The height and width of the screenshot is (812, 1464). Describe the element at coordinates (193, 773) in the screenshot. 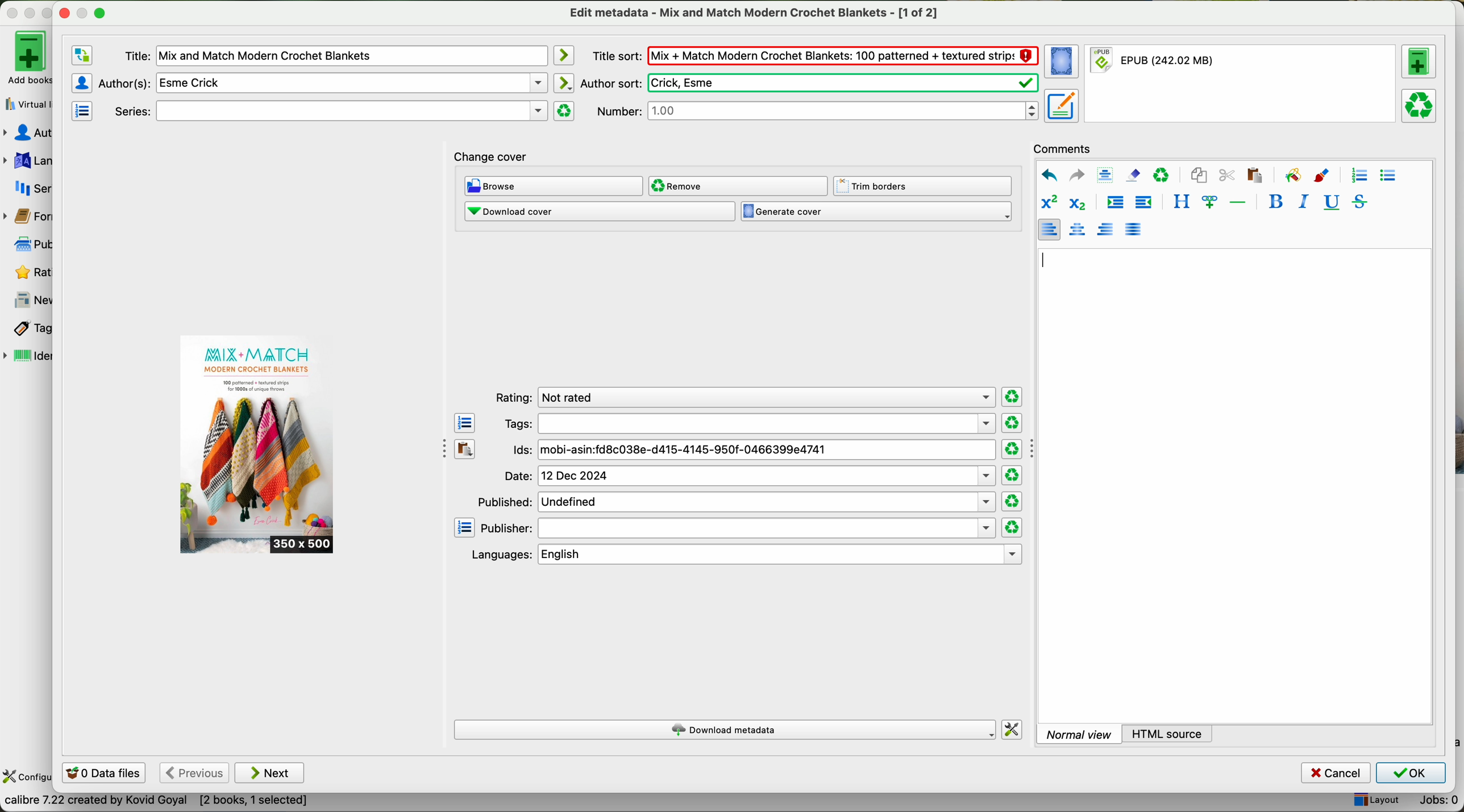

I see `previous` at that location.